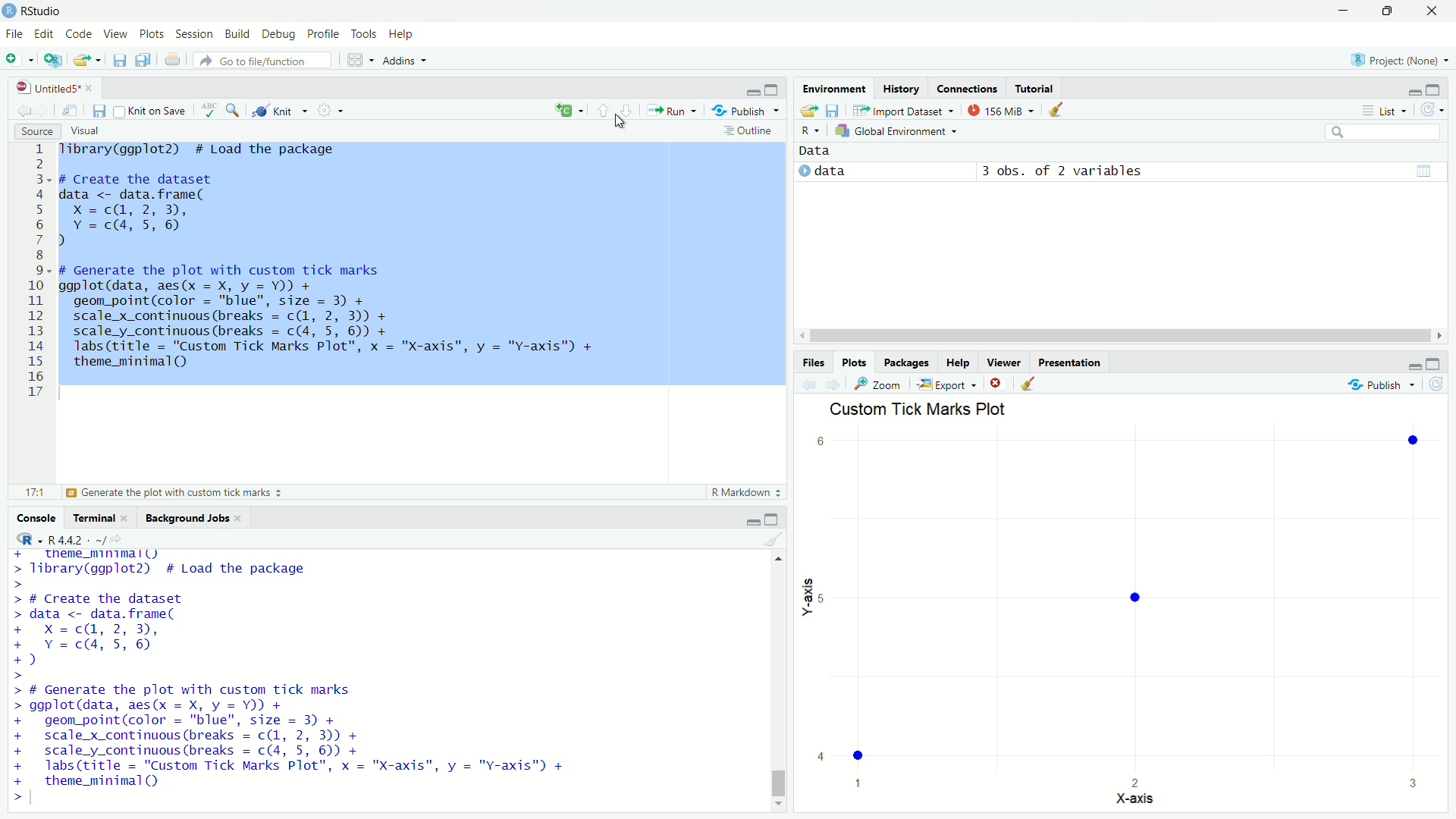  Describe the element at coordinates (1410, 362) in the screenshot. I see `minimize` at that location.